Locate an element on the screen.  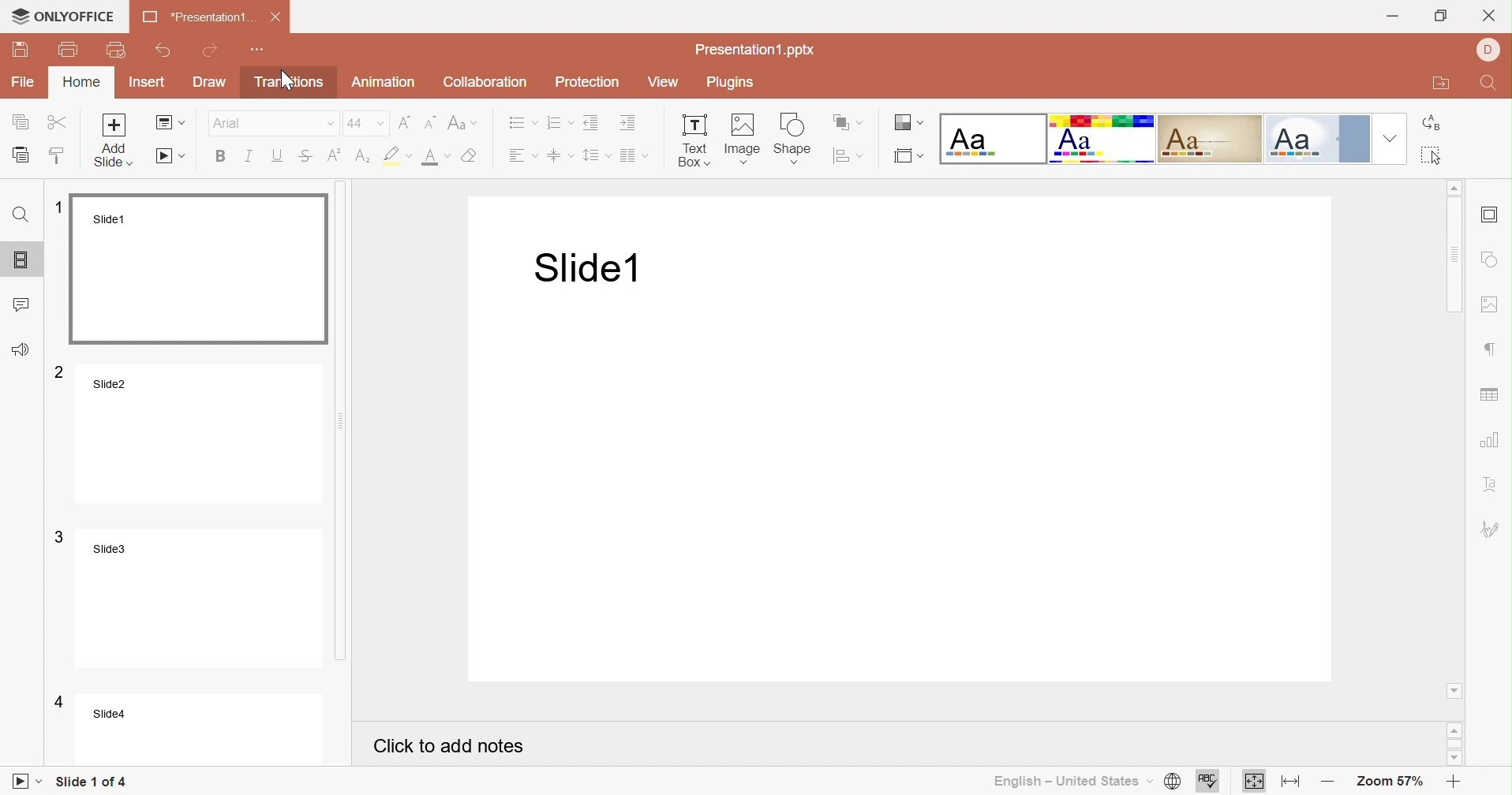
Bold is located at coordinates (218, 156).